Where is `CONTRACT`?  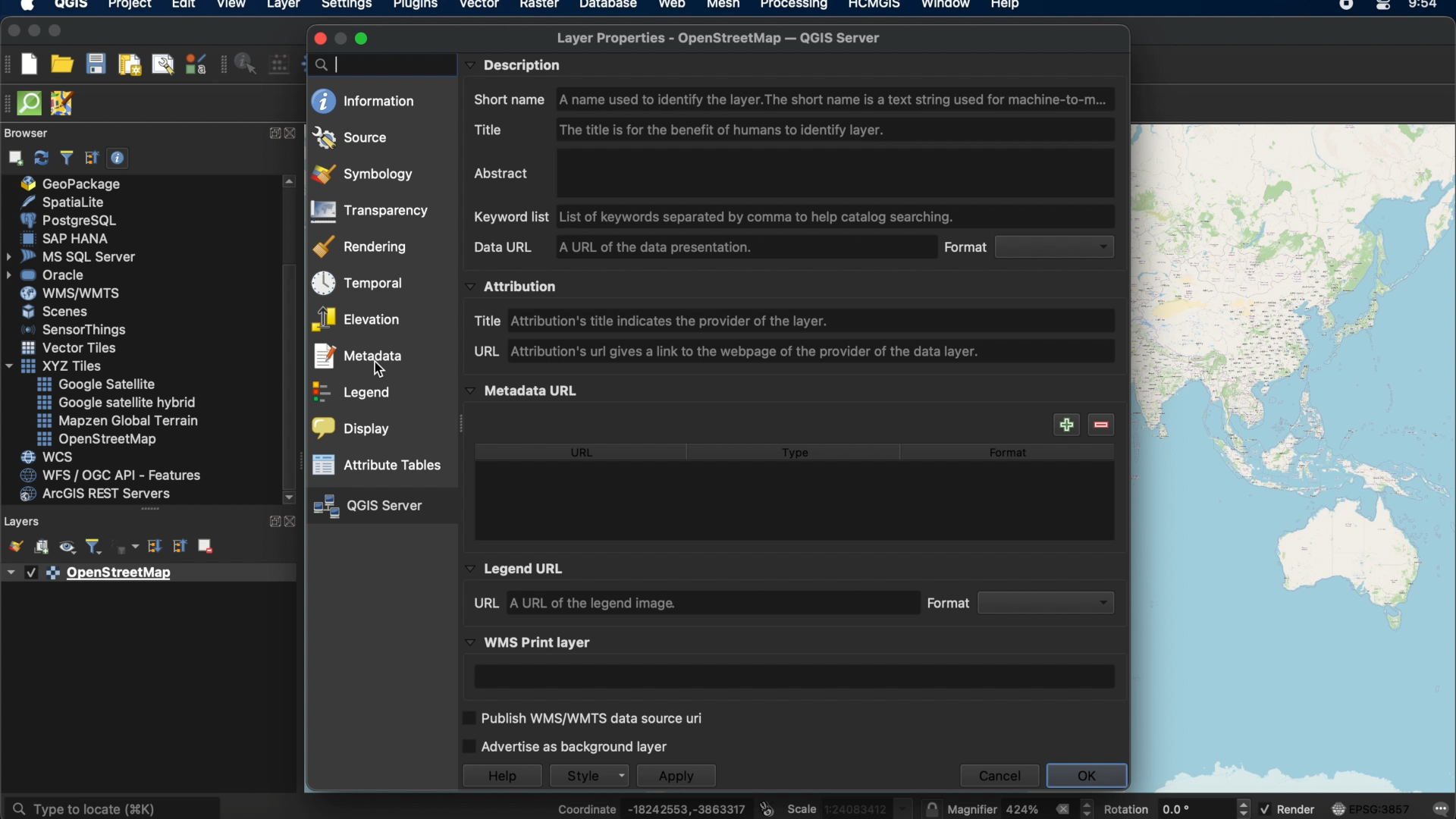 CONTRACT is located at coordinates (290, 522).